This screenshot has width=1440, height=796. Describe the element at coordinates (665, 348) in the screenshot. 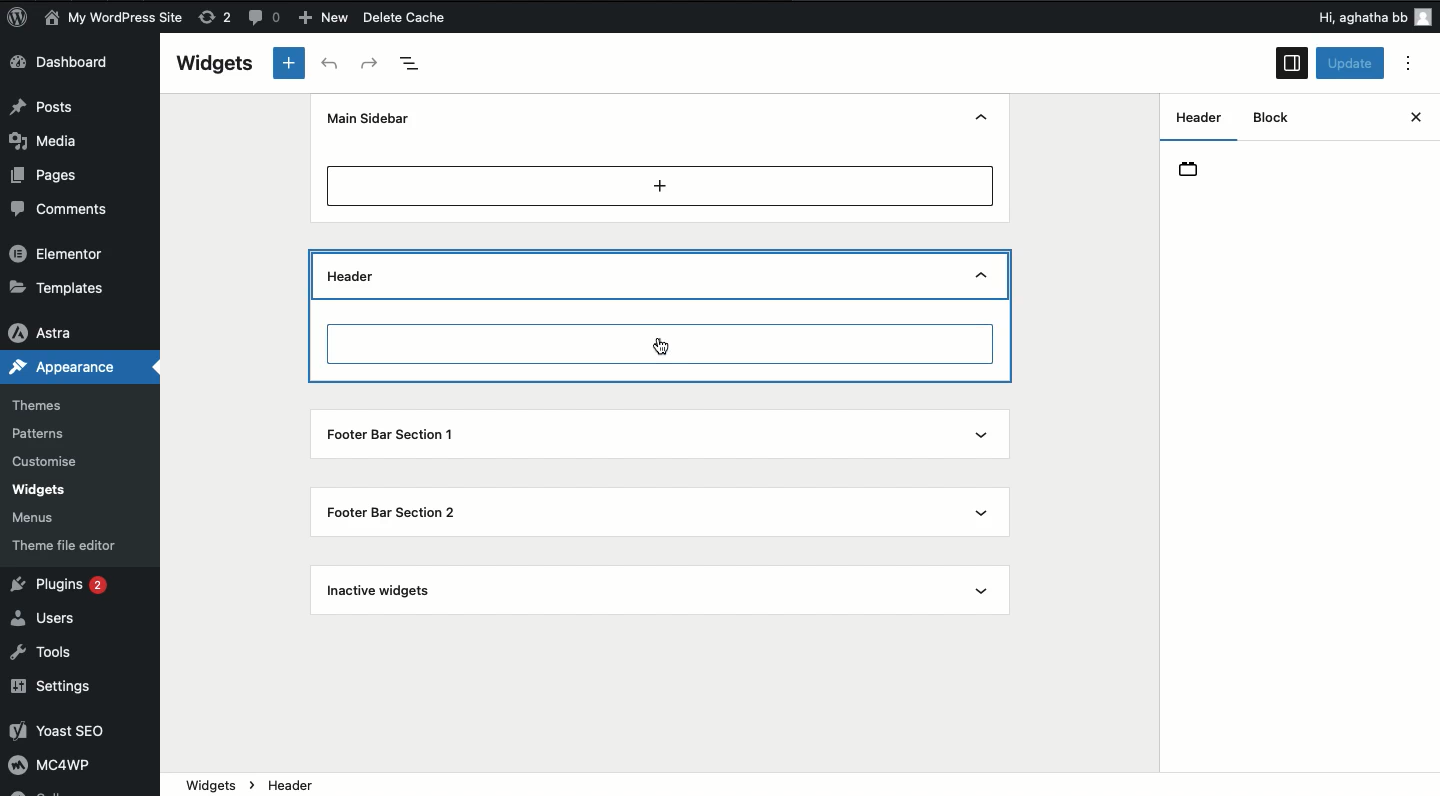

I see `cursor` at that location.